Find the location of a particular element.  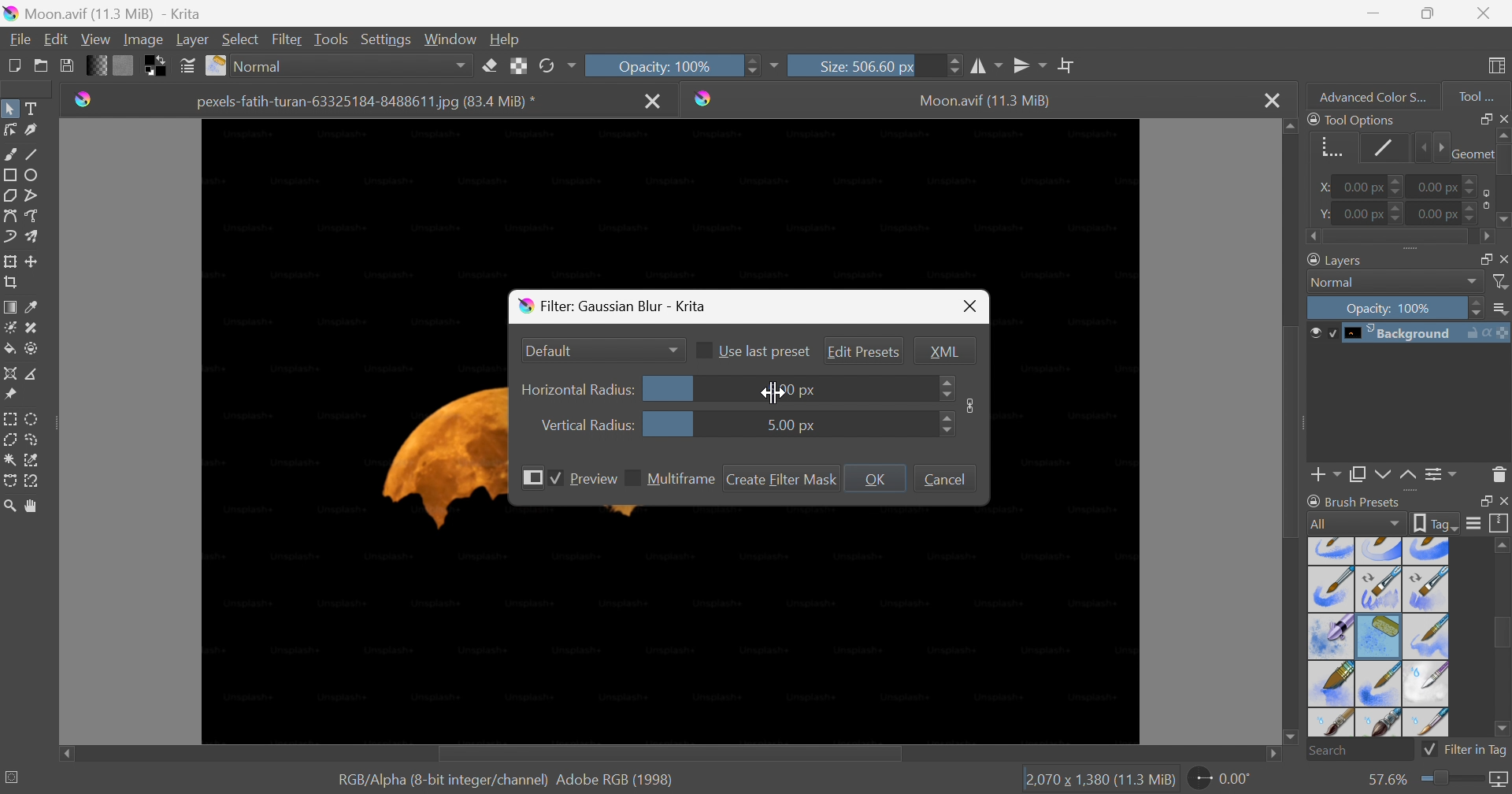

More is located at coordinates (773, 68).